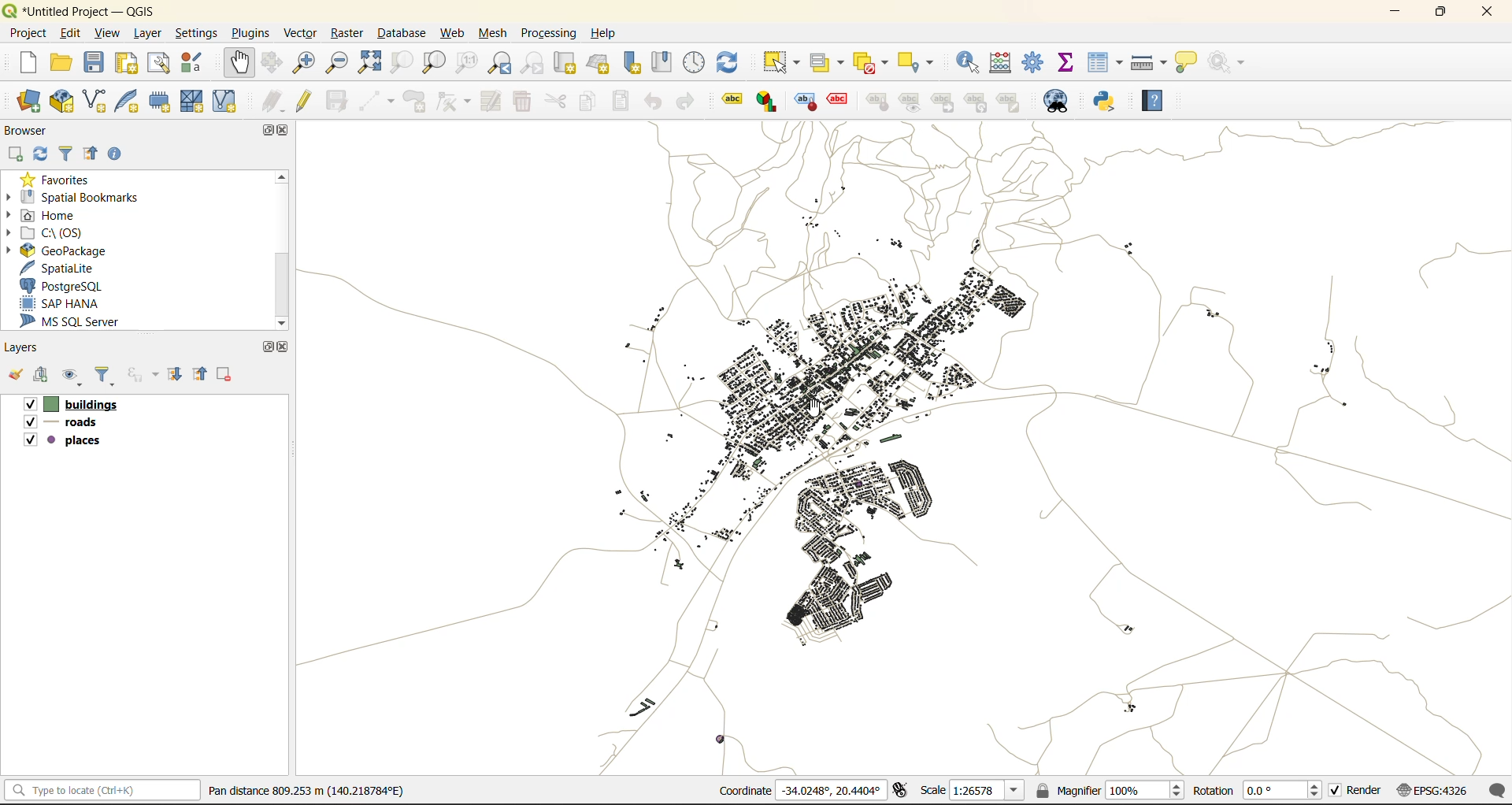 Image resolution: width=1512 pixels, height=805 pixels. Describe the element at coordinates (587, 102) in the screenshot. I see `copy` at that location.